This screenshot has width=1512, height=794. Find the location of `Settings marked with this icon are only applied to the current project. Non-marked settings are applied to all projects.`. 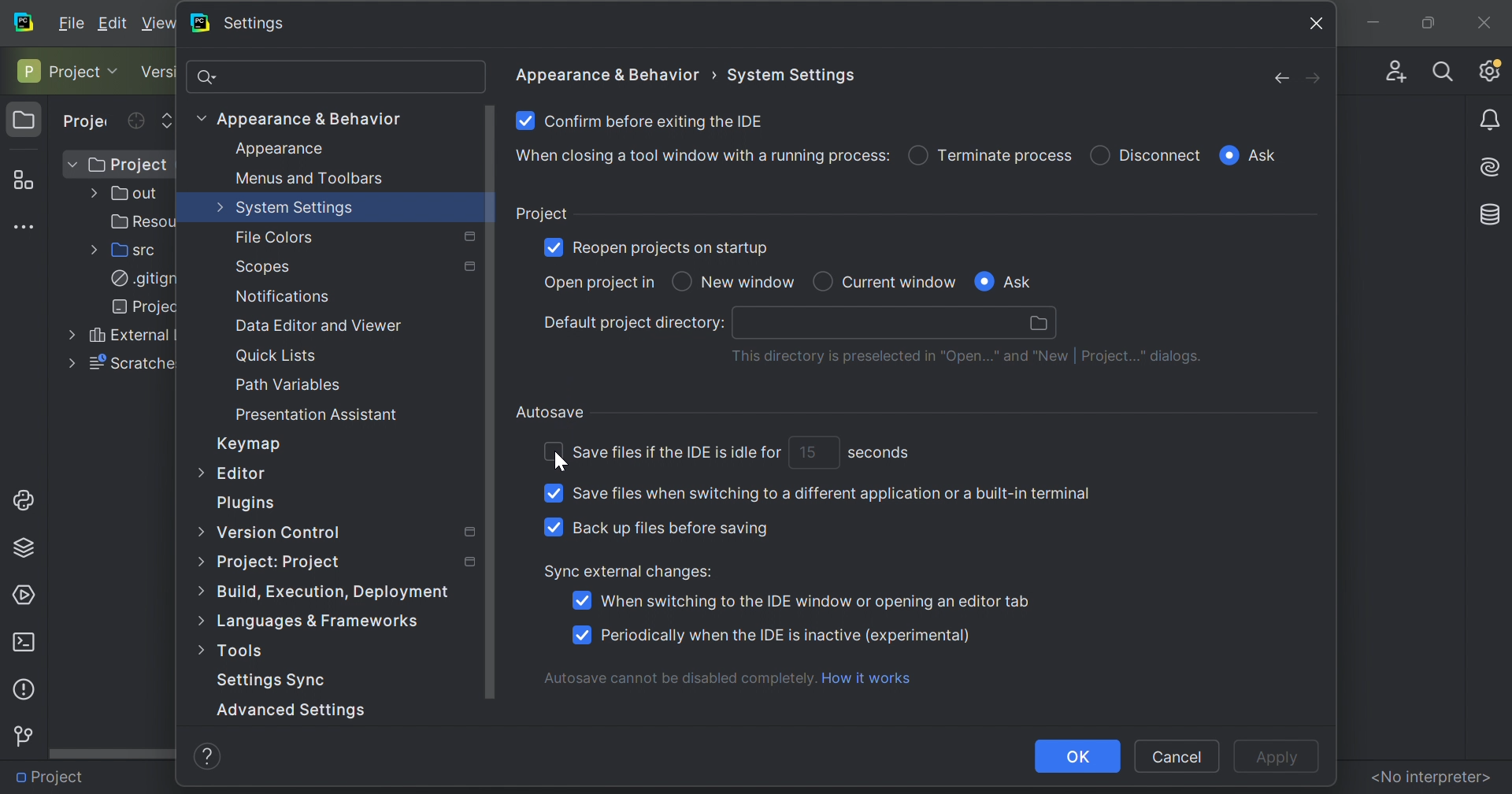

Settings marked with this icon are only applied to the current project. Non-marked settings are applied to all projects. is located at coordinates (468, 235).